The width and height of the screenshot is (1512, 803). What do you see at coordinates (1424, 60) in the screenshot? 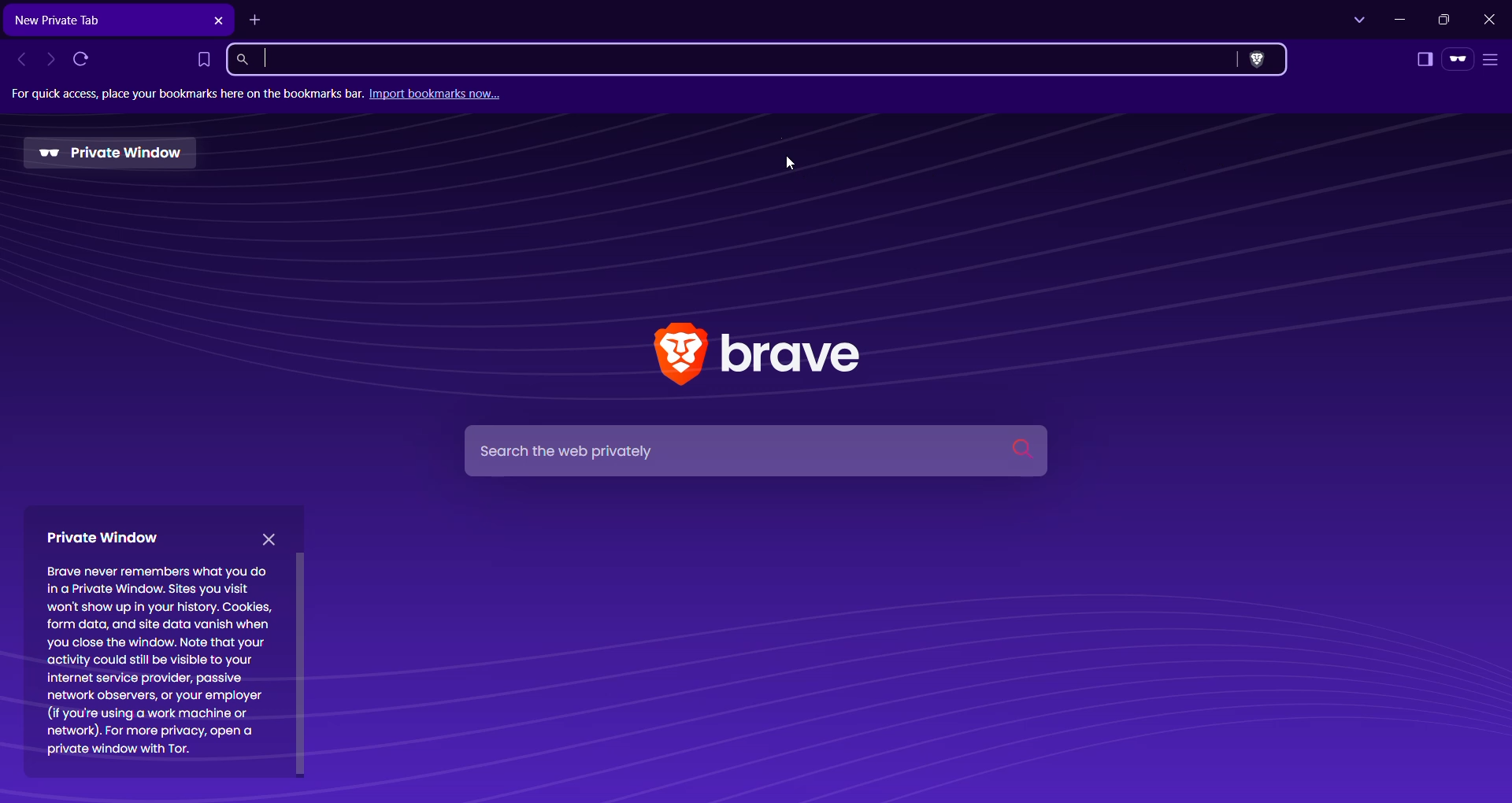
I see `Show Sidebar` at bounding box center [1424, 60].